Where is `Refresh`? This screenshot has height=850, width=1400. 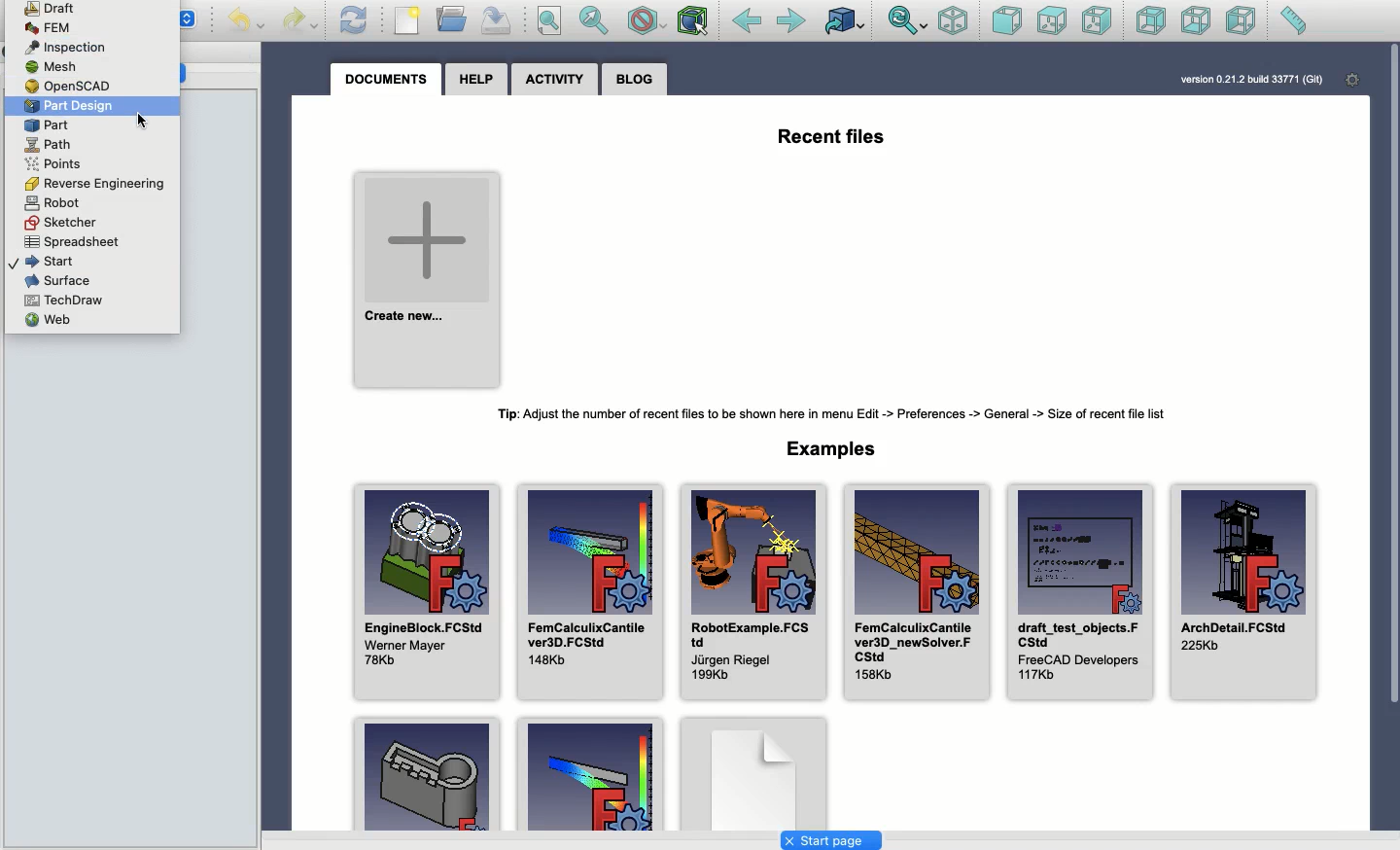 Refresh is located at coordinates (353, 18).